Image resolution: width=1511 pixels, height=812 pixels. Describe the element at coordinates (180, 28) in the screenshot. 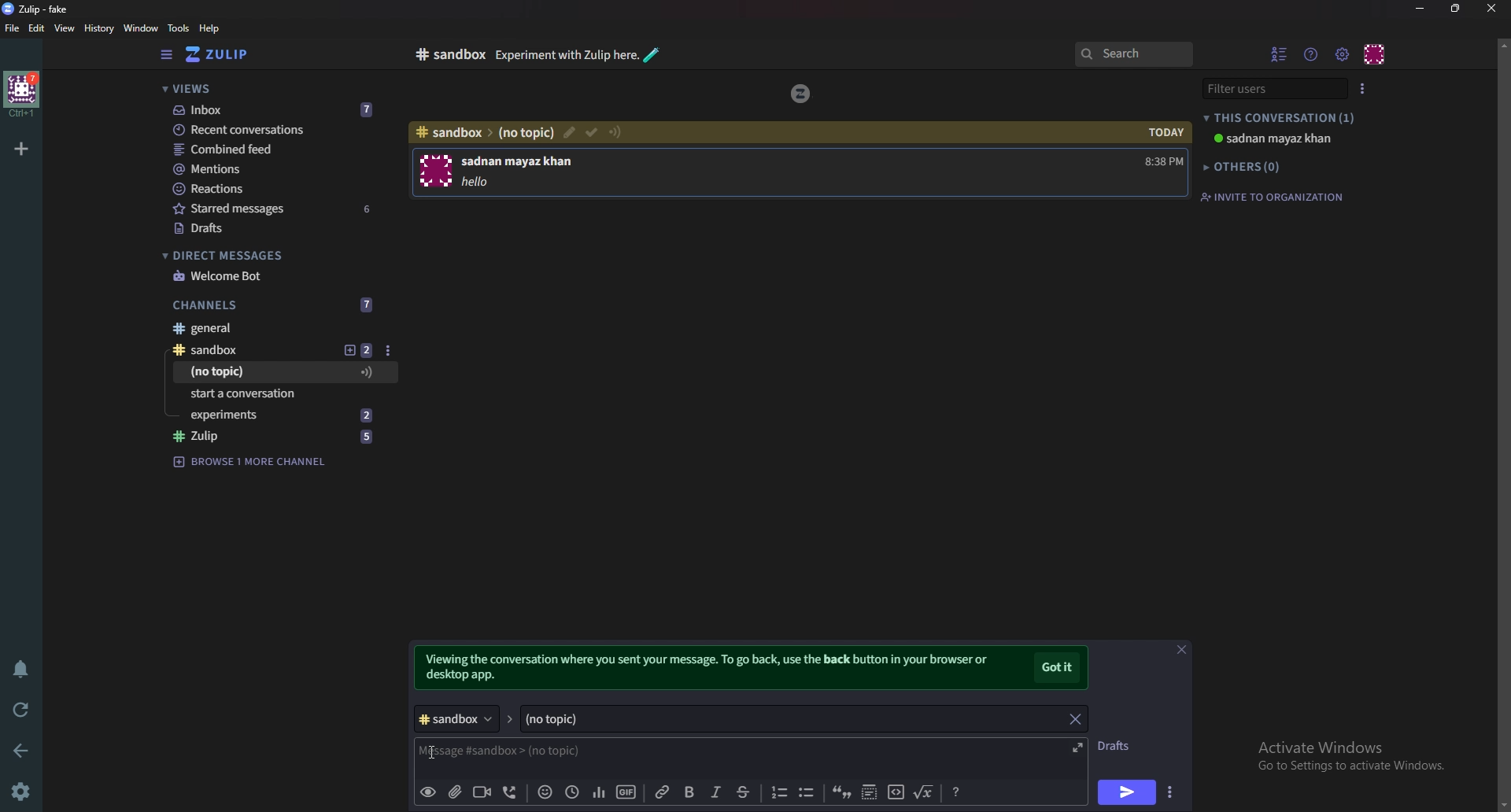

I see `Tools` at that location.